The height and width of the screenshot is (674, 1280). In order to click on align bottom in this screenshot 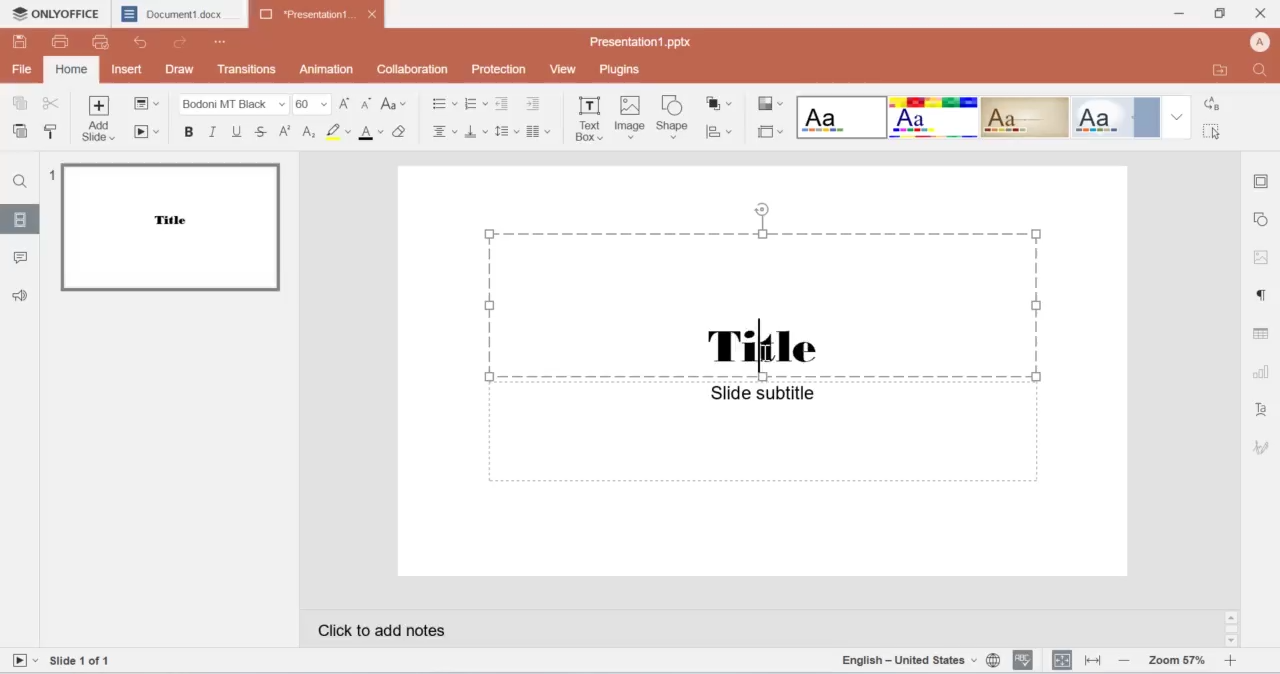, I will do `click(475, 132)`.